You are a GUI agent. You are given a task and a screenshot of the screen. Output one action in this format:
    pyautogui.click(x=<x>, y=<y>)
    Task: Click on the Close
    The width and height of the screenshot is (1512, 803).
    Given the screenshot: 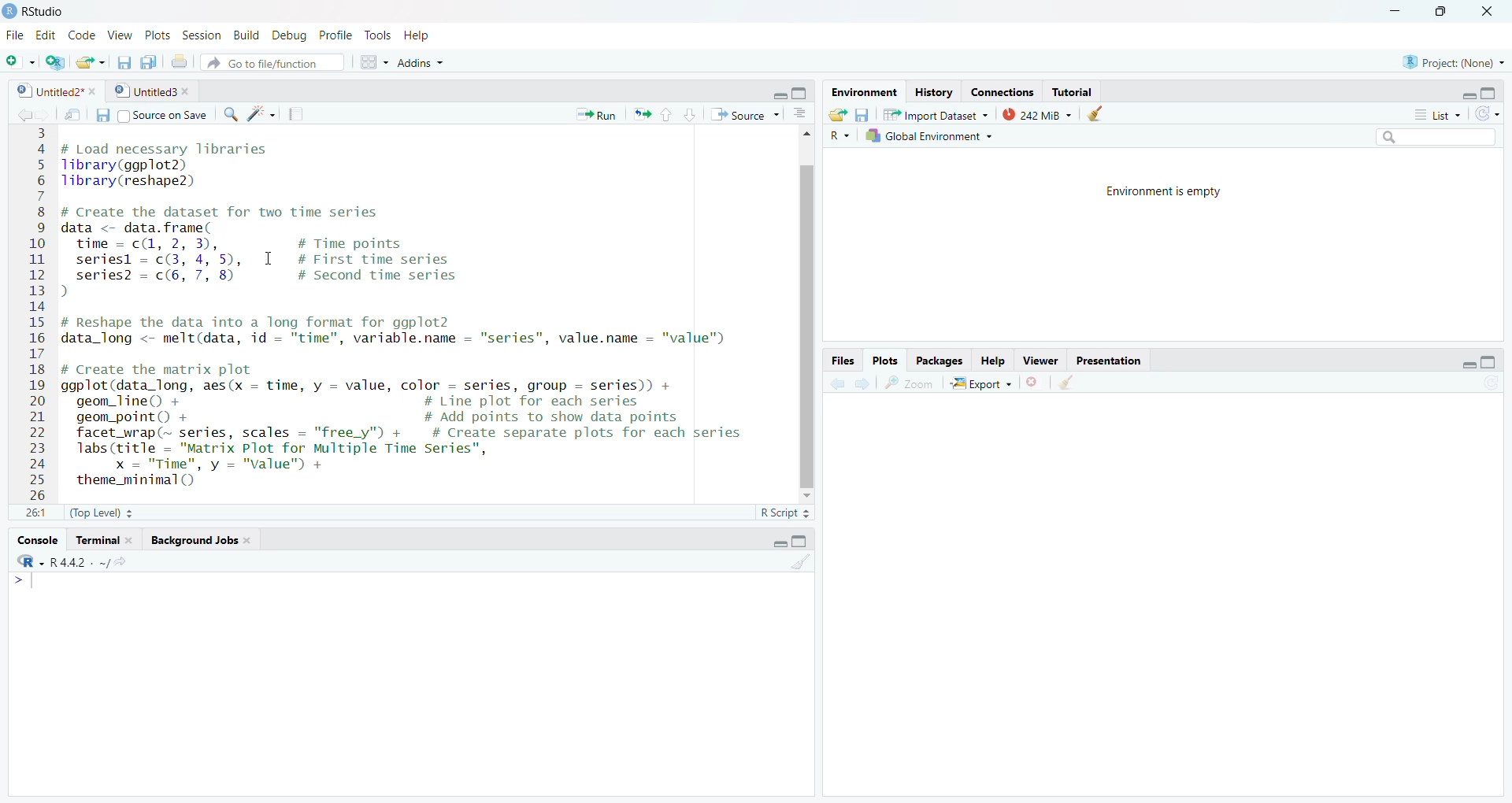 What is the action you would take?
    pyautogui.click(x=1486, y=12)
    